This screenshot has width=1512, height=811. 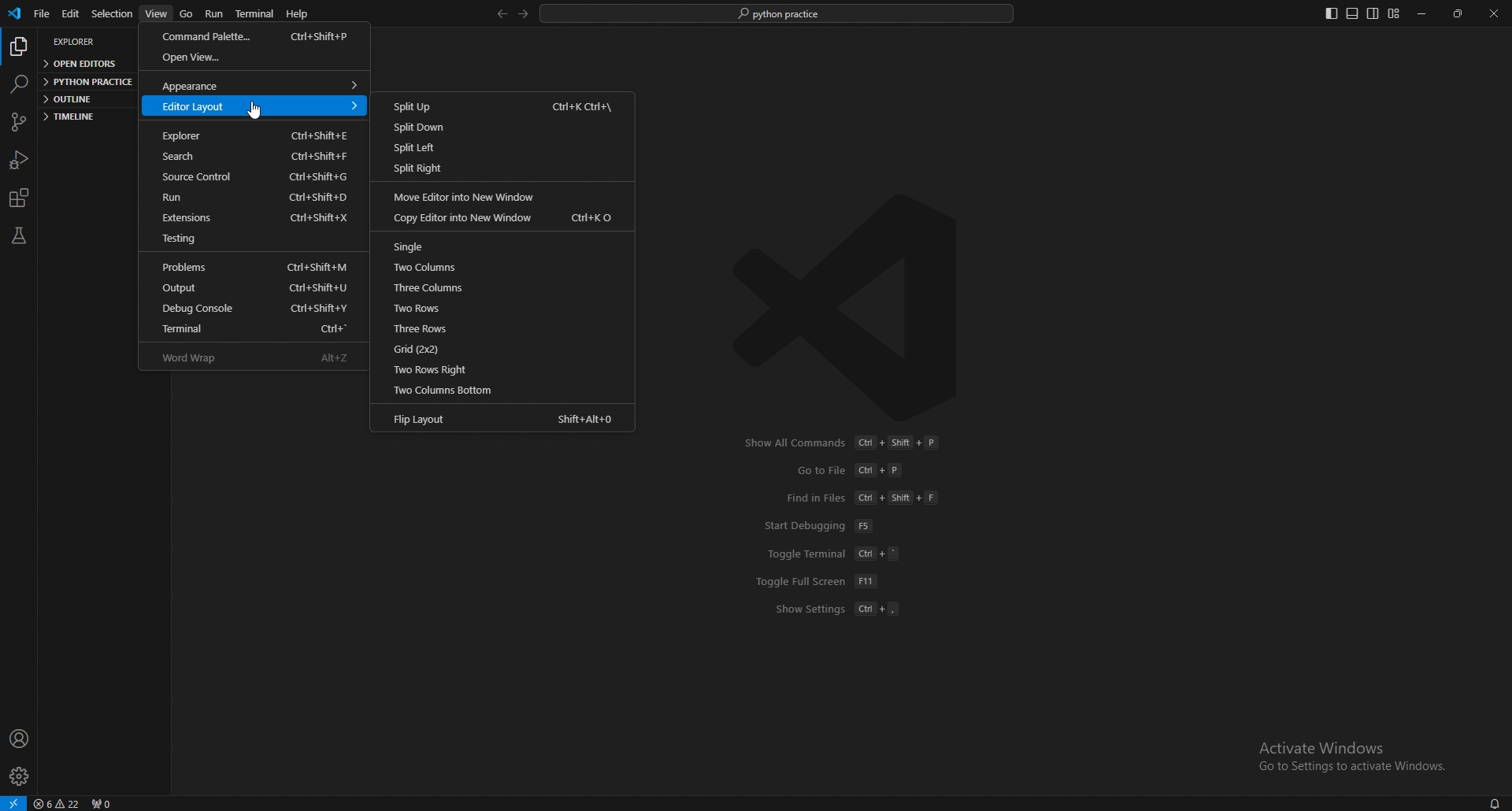 What do you see at coordinates (19, 122) in the screenshot?
I see `source control` at bounding box center [19, 122].